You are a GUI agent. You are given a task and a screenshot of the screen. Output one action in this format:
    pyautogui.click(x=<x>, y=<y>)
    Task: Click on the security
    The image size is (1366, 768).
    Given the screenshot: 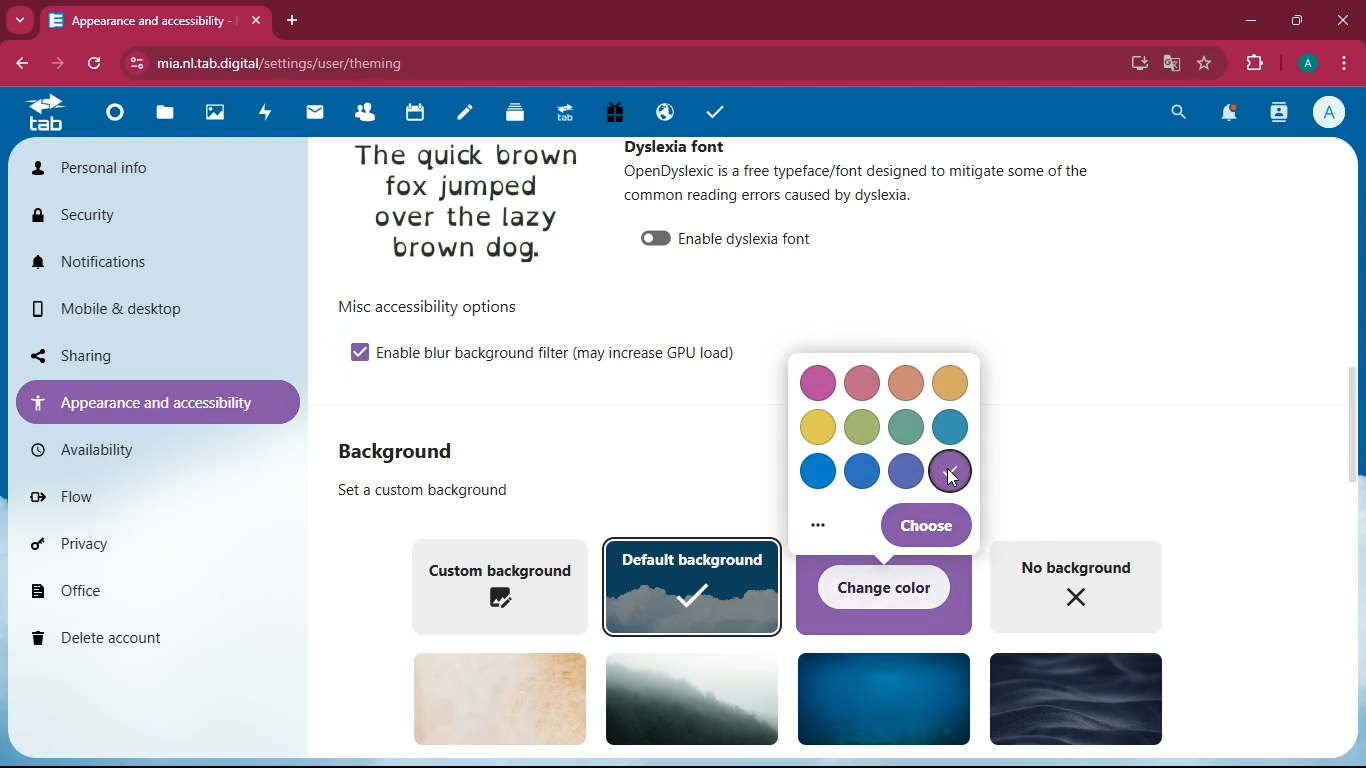 What is the action you would take?
    pyautogui.click(x=113, y=215)
    